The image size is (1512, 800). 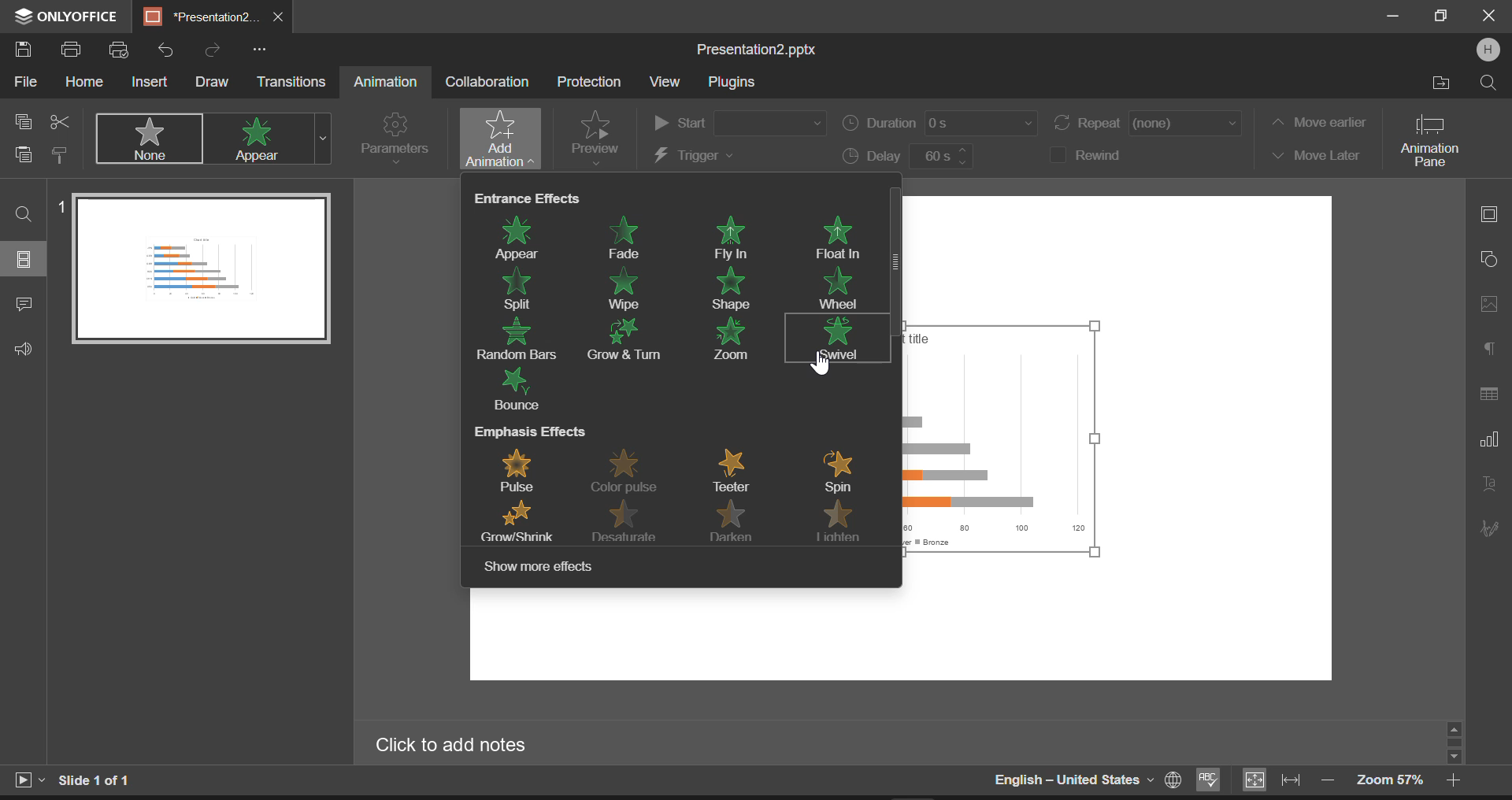 I want to click on Draw, so click(x=213, y=81).